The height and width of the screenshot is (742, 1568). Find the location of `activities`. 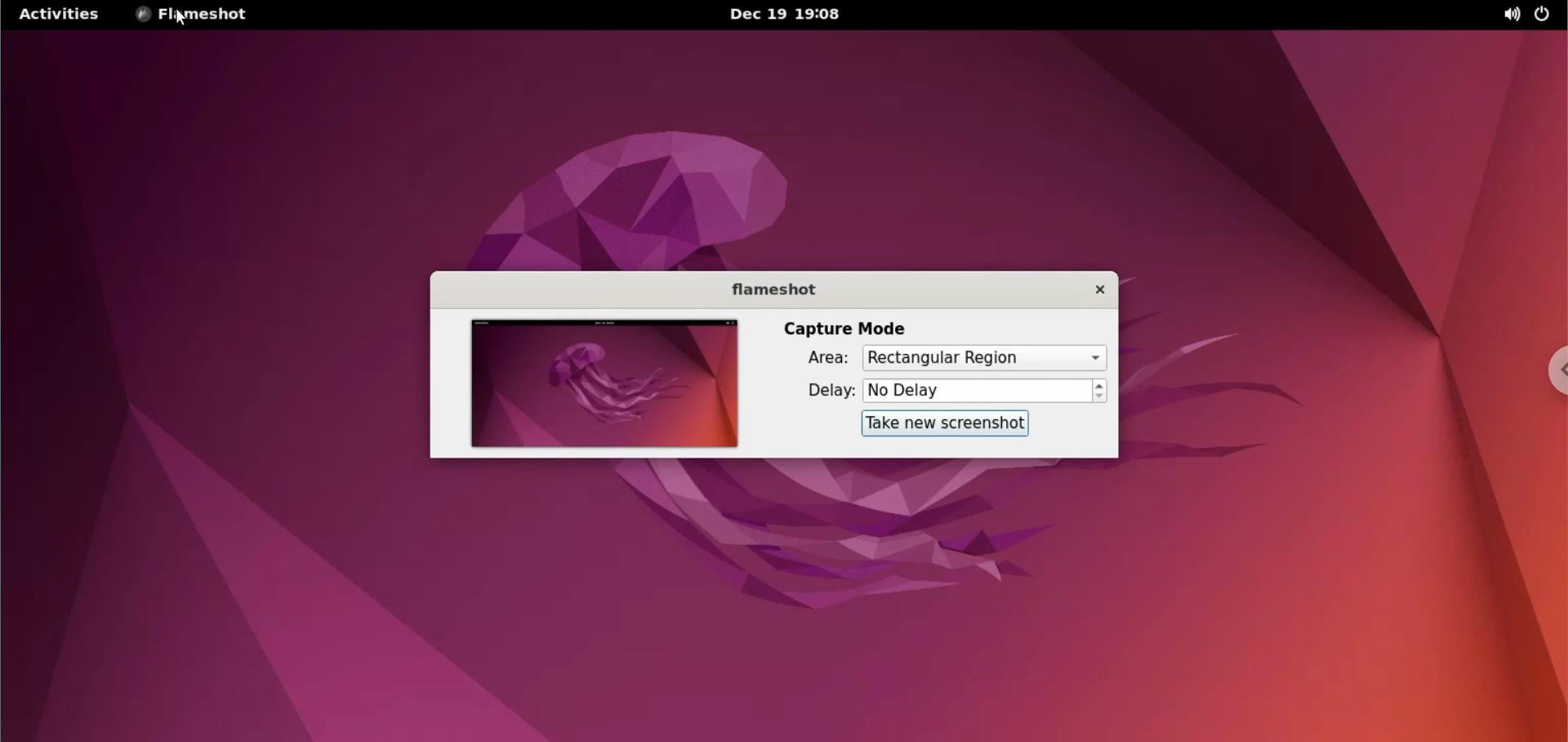

activities is located at coordinates (66, 14).